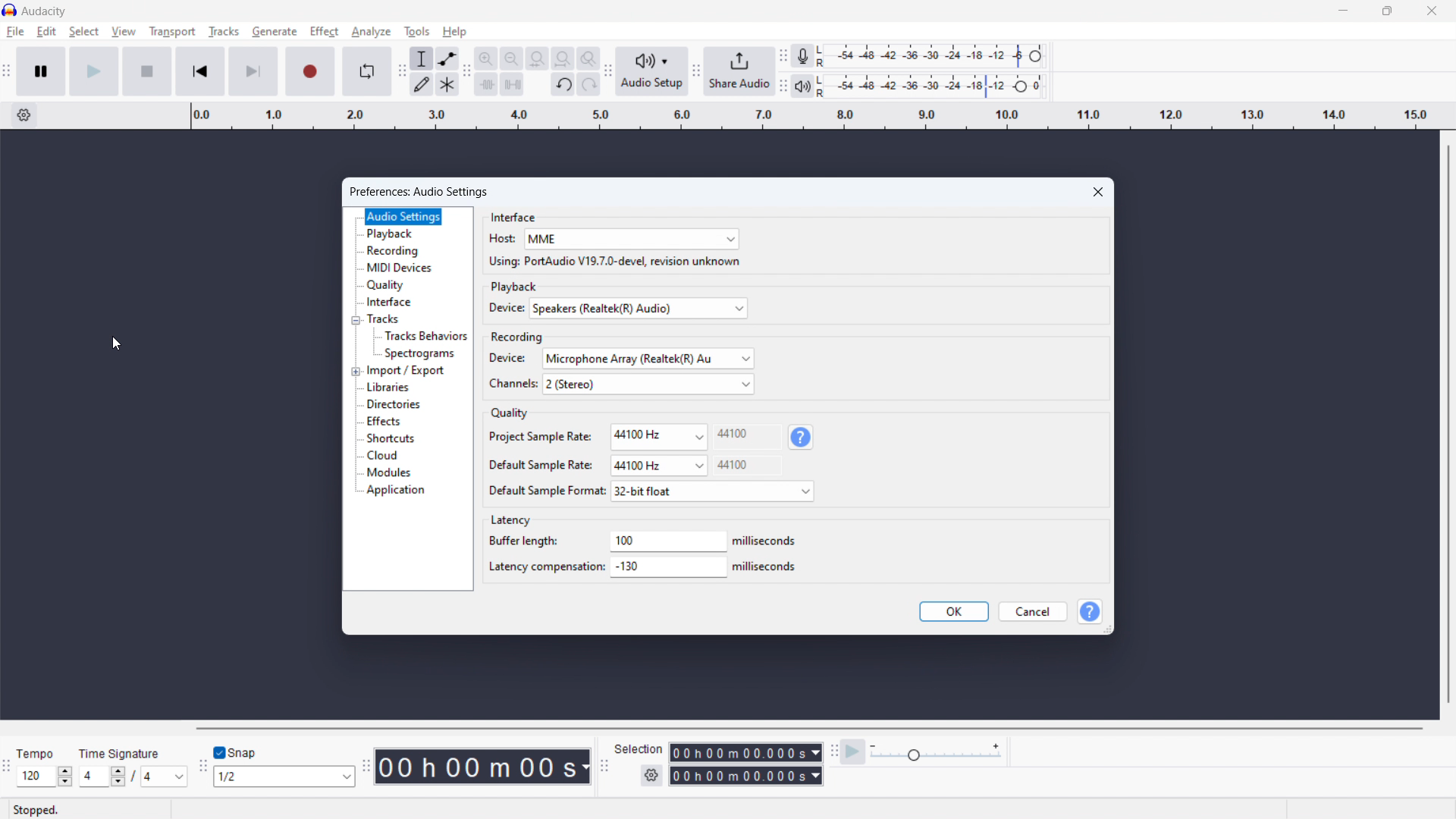 This screenshot has width=1456, height=819. Describe the element at coordinates (833, 752) in the screenshot. I see `play at speed toolbar` at that location.